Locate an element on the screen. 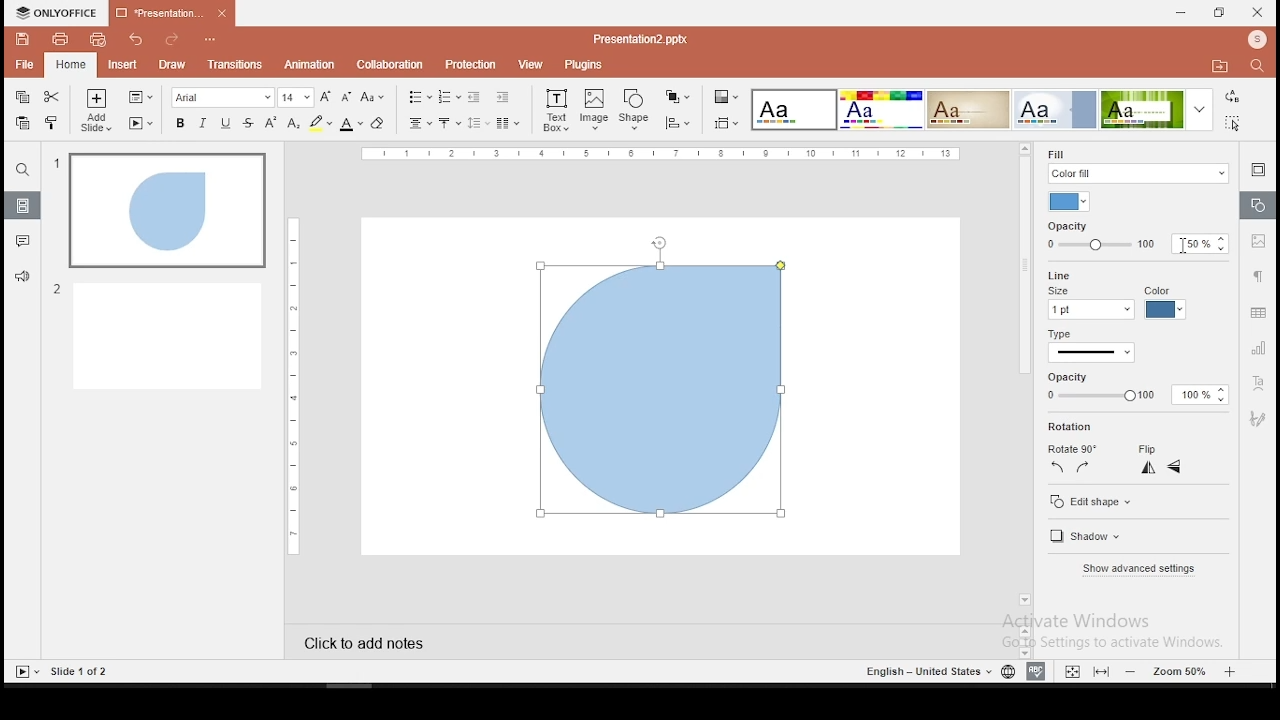 This screenshot has height=720, width=1280. comments is located at coordinates (20, 242).